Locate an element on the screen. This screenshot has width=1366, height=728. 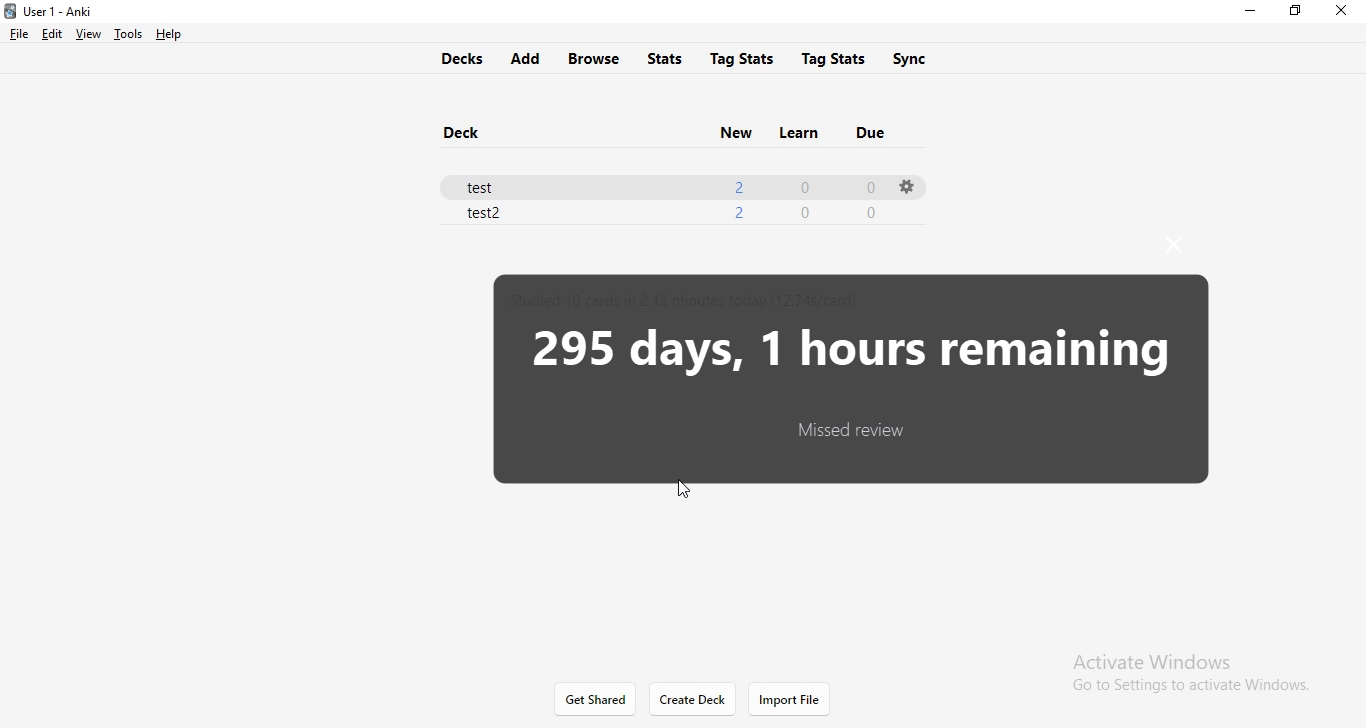
0 is located at coordinates (868, 185).